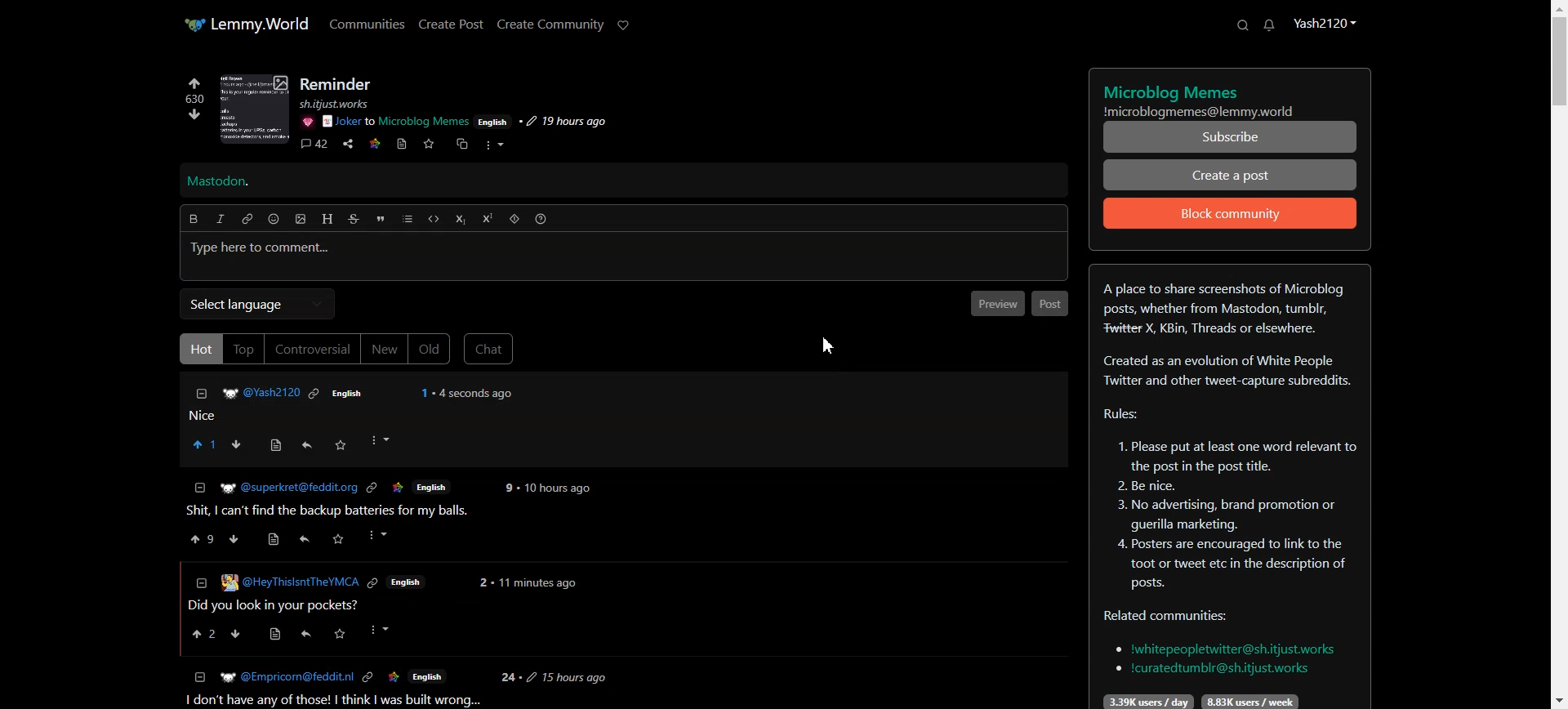  Describe the element at coordinates (383, 536) in the screenshot. I see `` at that location.